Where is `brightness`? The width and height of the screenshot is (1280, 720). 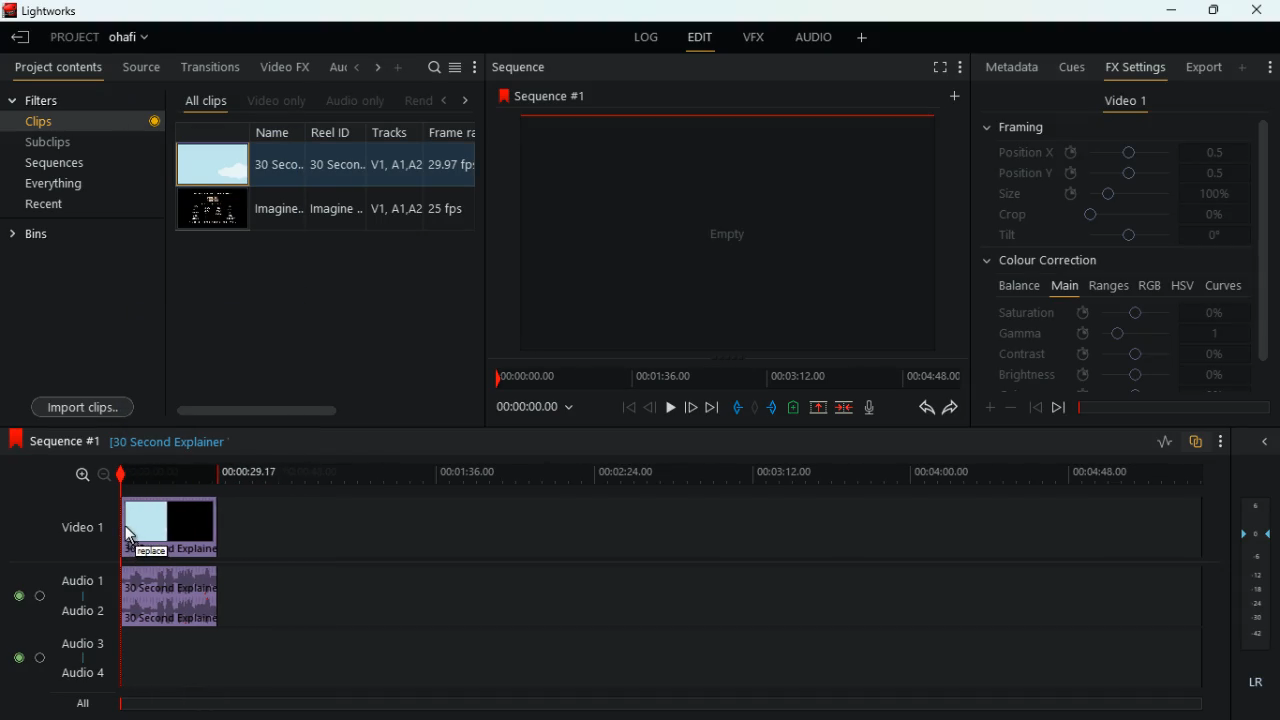 brightness is located at coordinates (1113, 374).